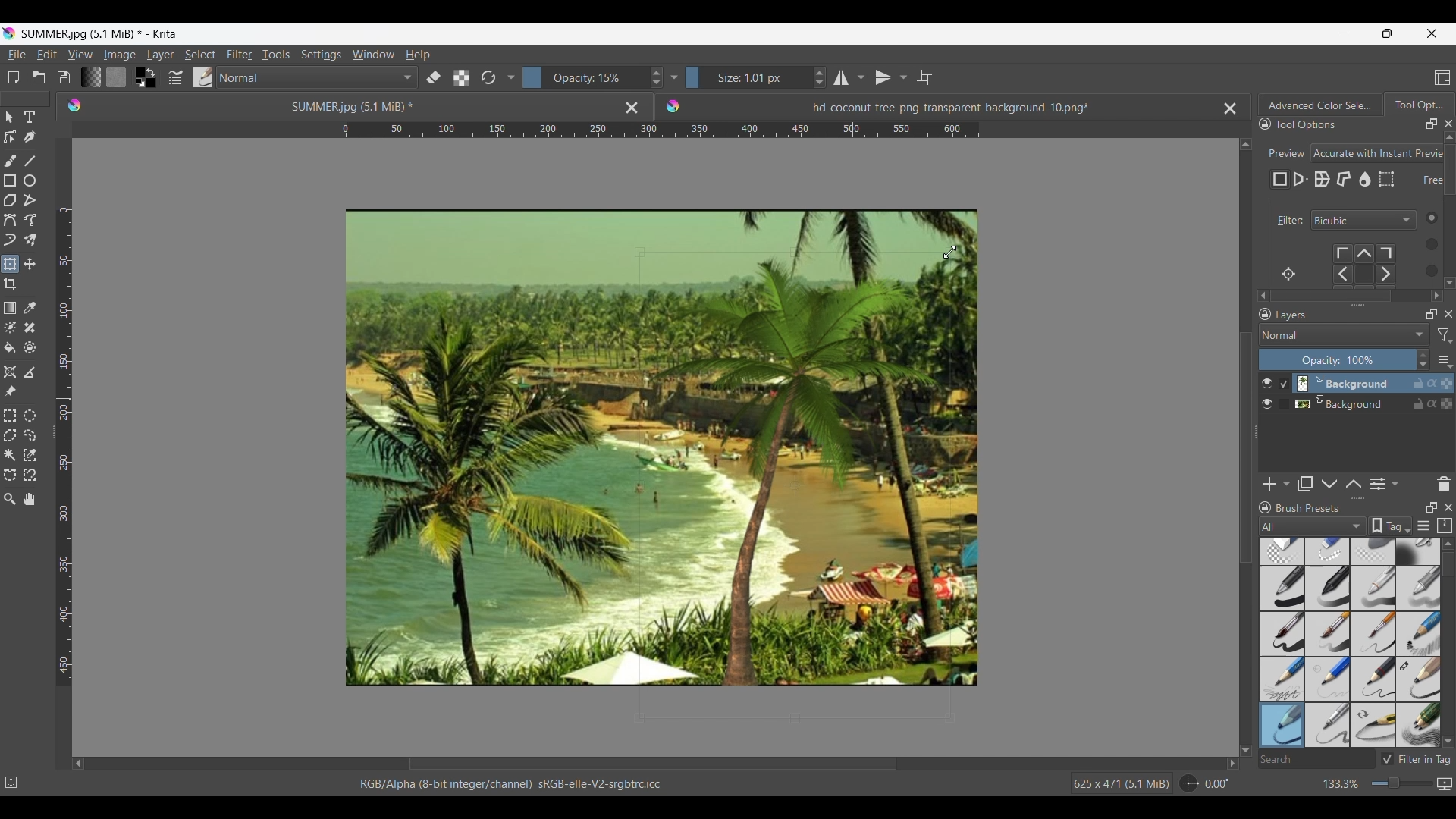 This screenshot has width=1456, height=819. I want to click on Close brush presets panel, so click(1448, 507).